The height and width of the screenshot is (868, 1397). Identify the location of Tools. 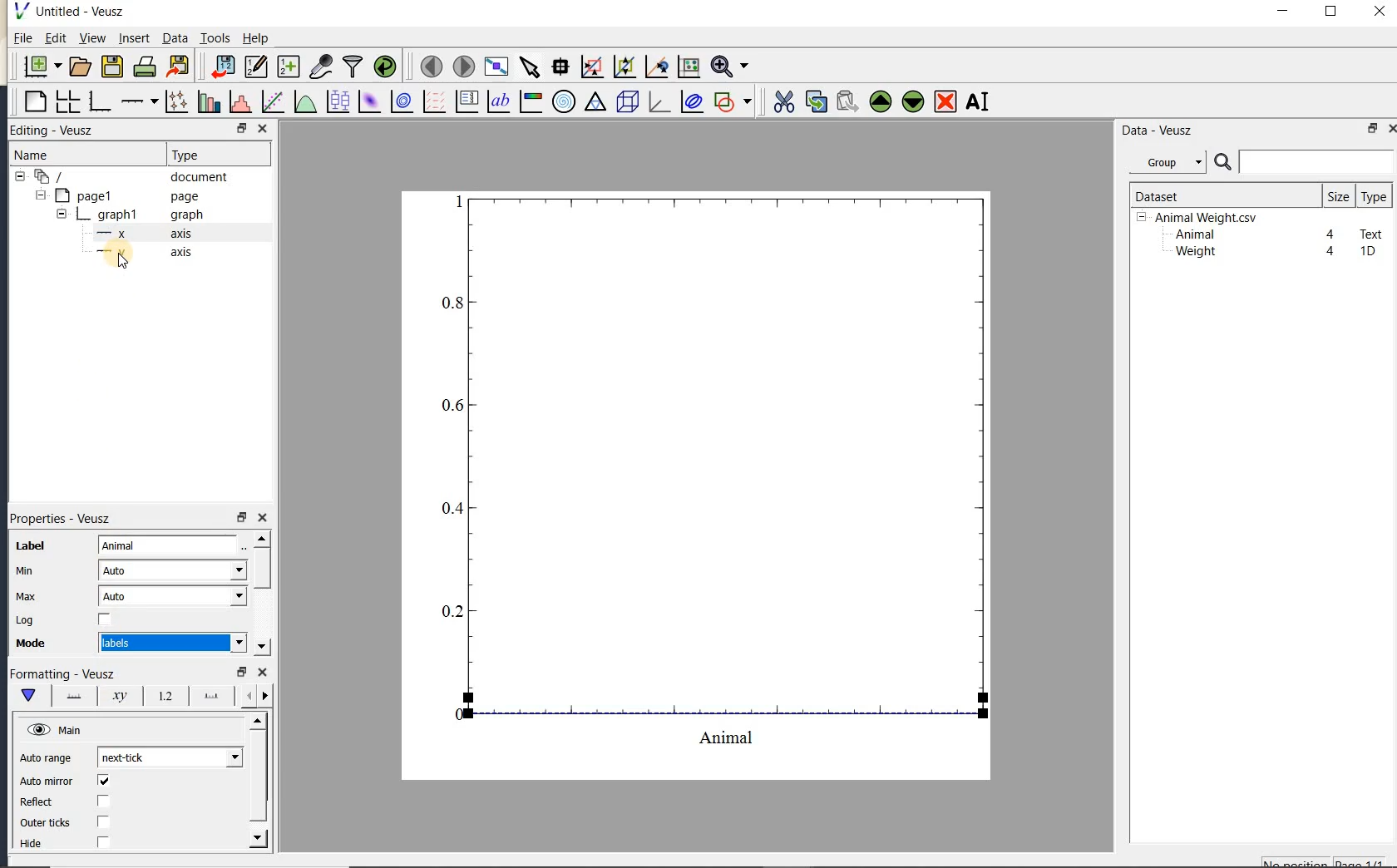
(216, 37).